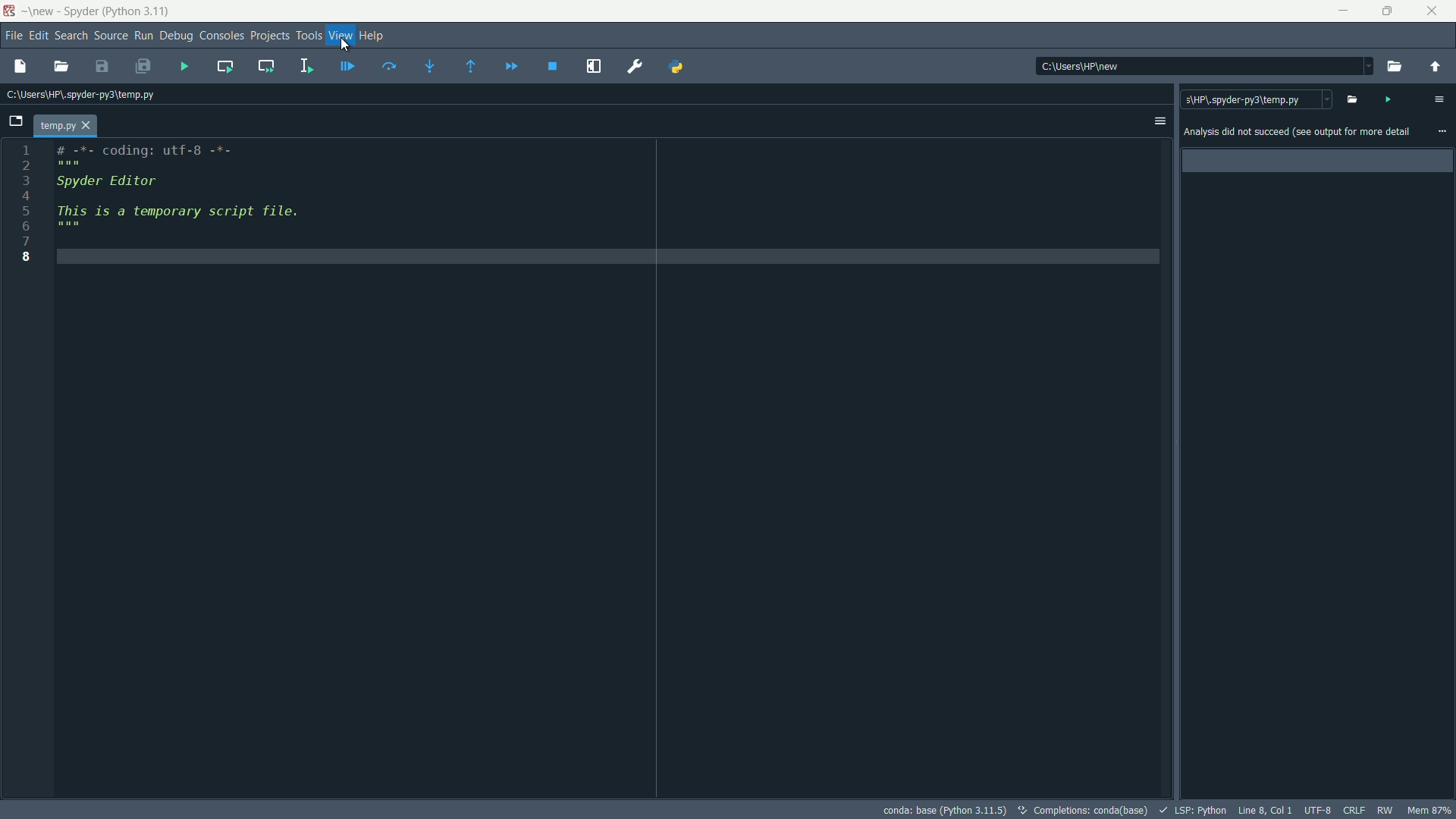  I want to click on step into function, so click(429, 65).